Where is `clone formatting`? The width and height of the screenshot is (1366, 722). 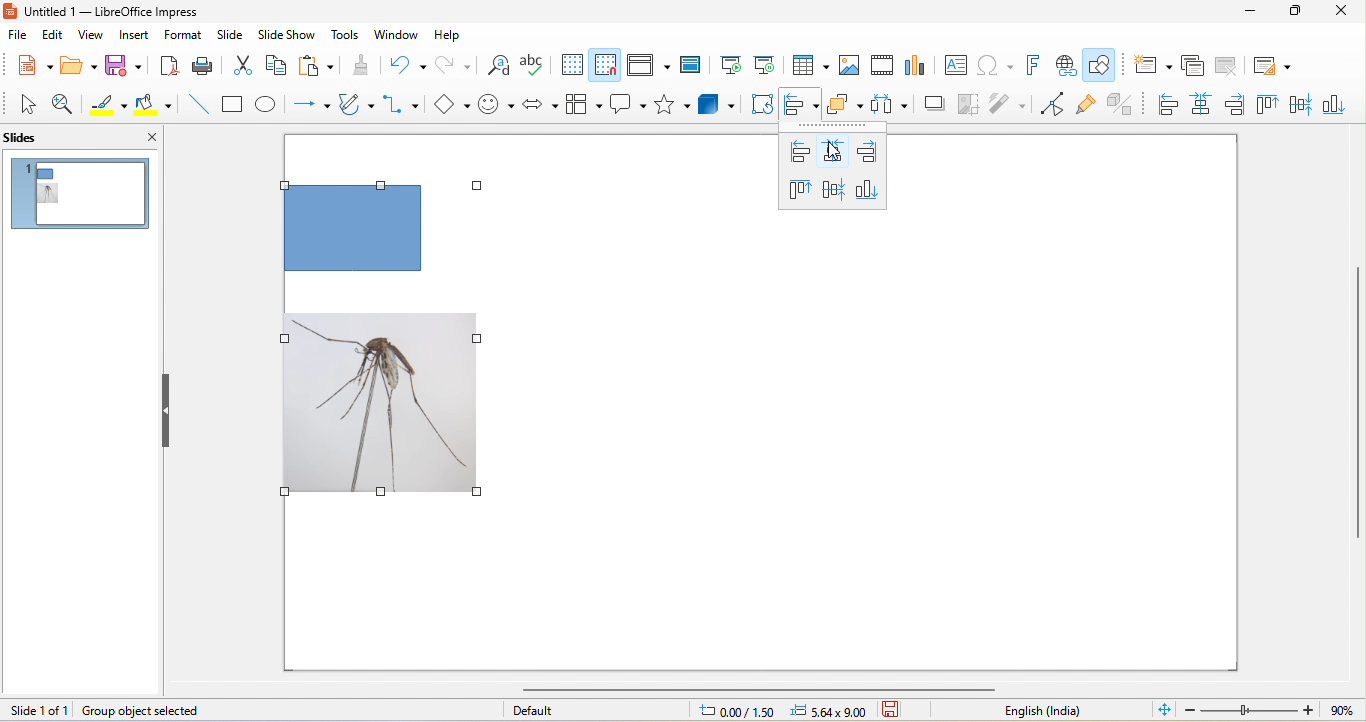 clone formatting is located at coordinates (359, 66).